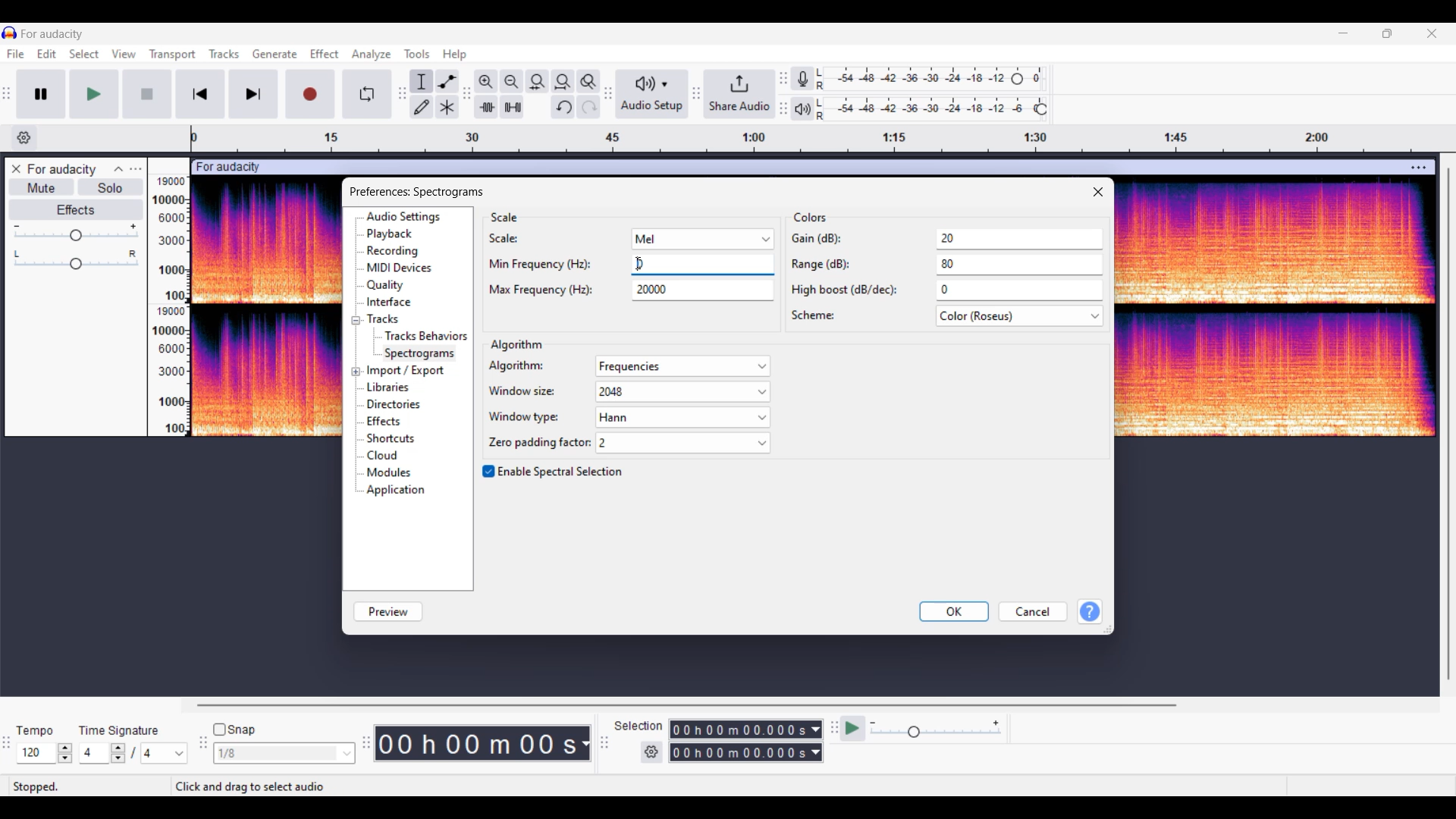  Describe the element at coordinates (1090, 611) in the screenshot. I see `Get help` at that location.